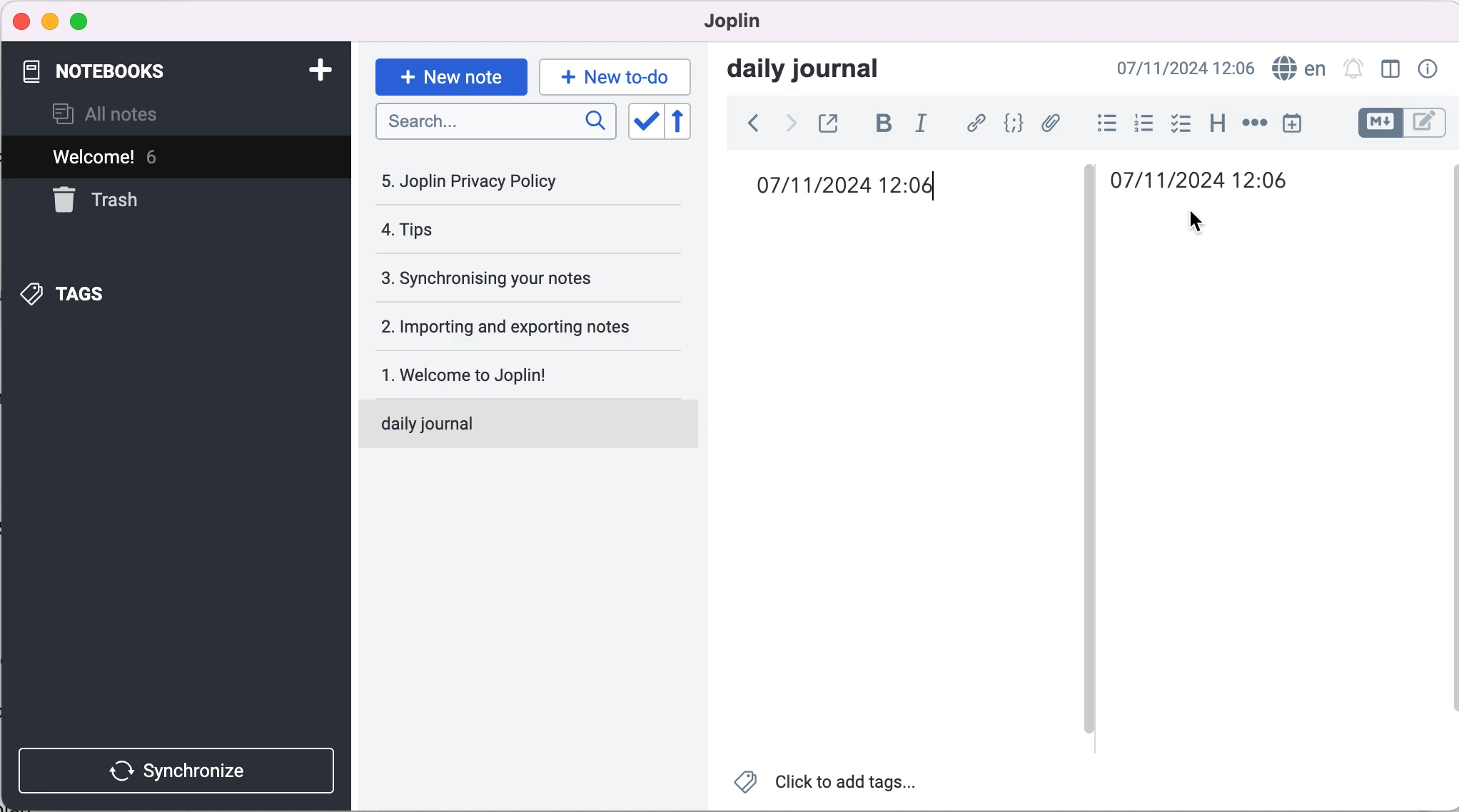 The height and width of the screenshot is (812, 1459). What do you see at coordinates (1390, 69) in the screenshot?
I see `toggle editor layout` at bounding box center [1390, 69].